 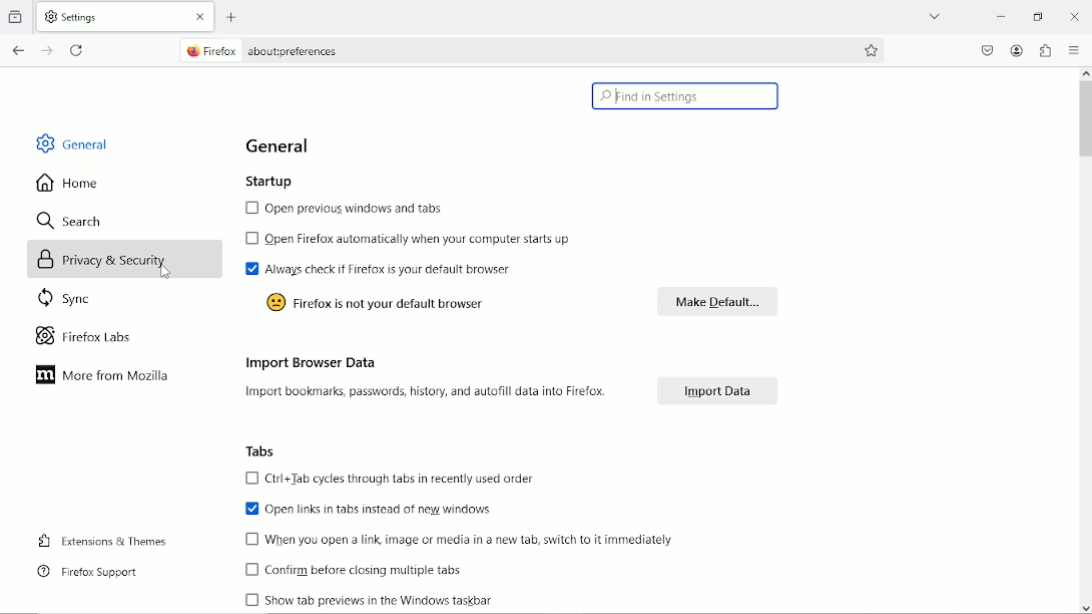 I want to click on text, so click(x=468, y=537).